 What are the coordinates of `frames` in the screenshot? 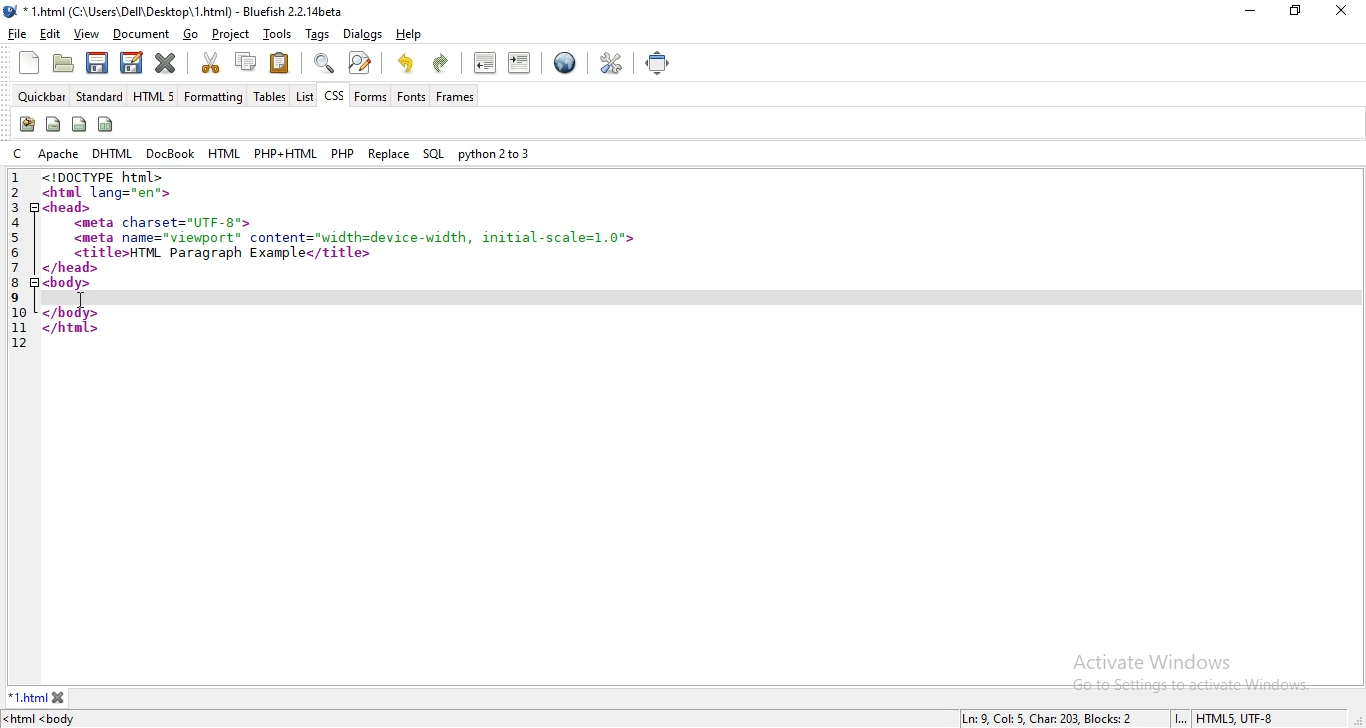 It's located at (454, 97).